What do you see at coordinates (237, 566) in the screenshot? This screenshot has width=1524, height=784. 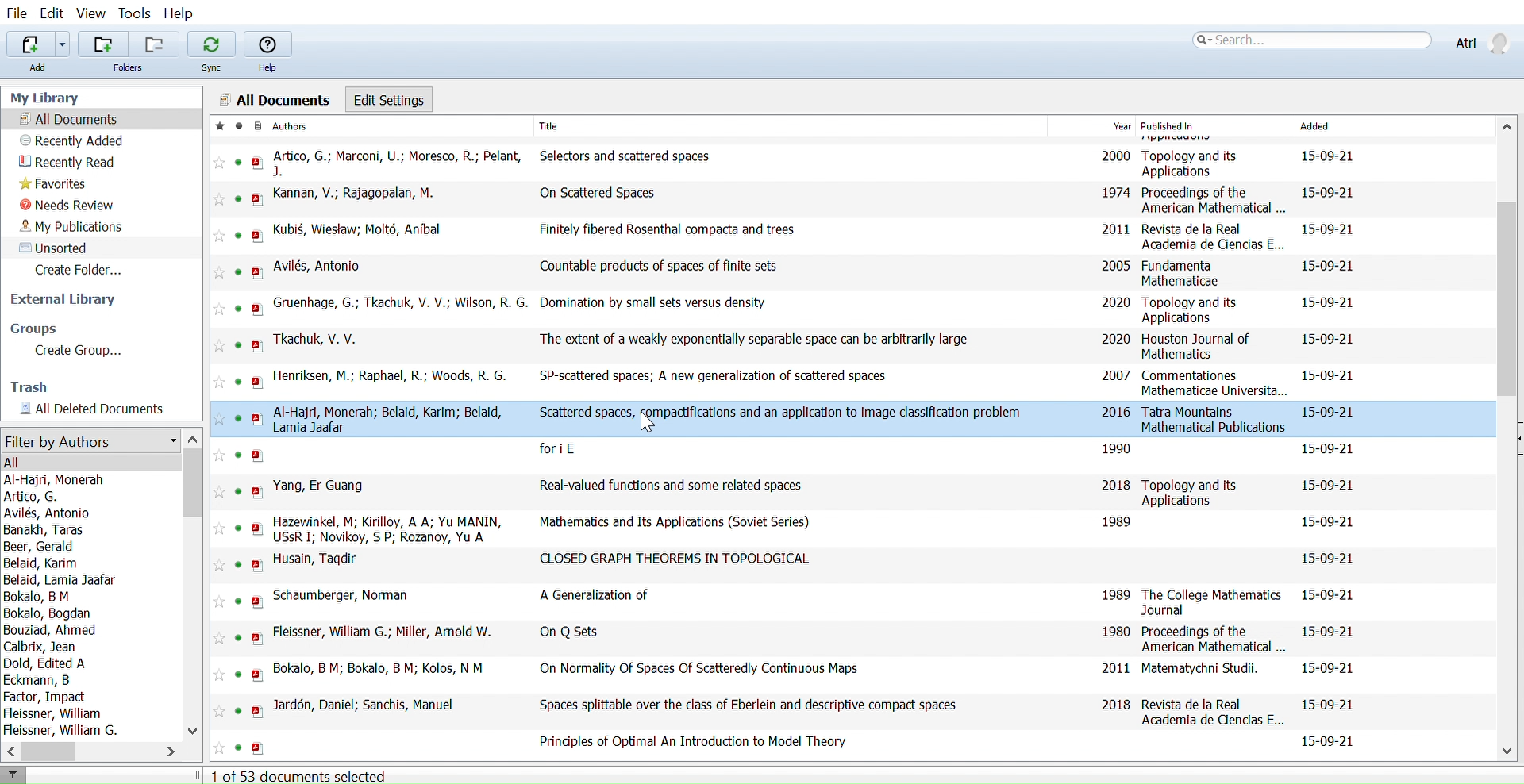 I see `reading status` at bounding box center [237, 566].